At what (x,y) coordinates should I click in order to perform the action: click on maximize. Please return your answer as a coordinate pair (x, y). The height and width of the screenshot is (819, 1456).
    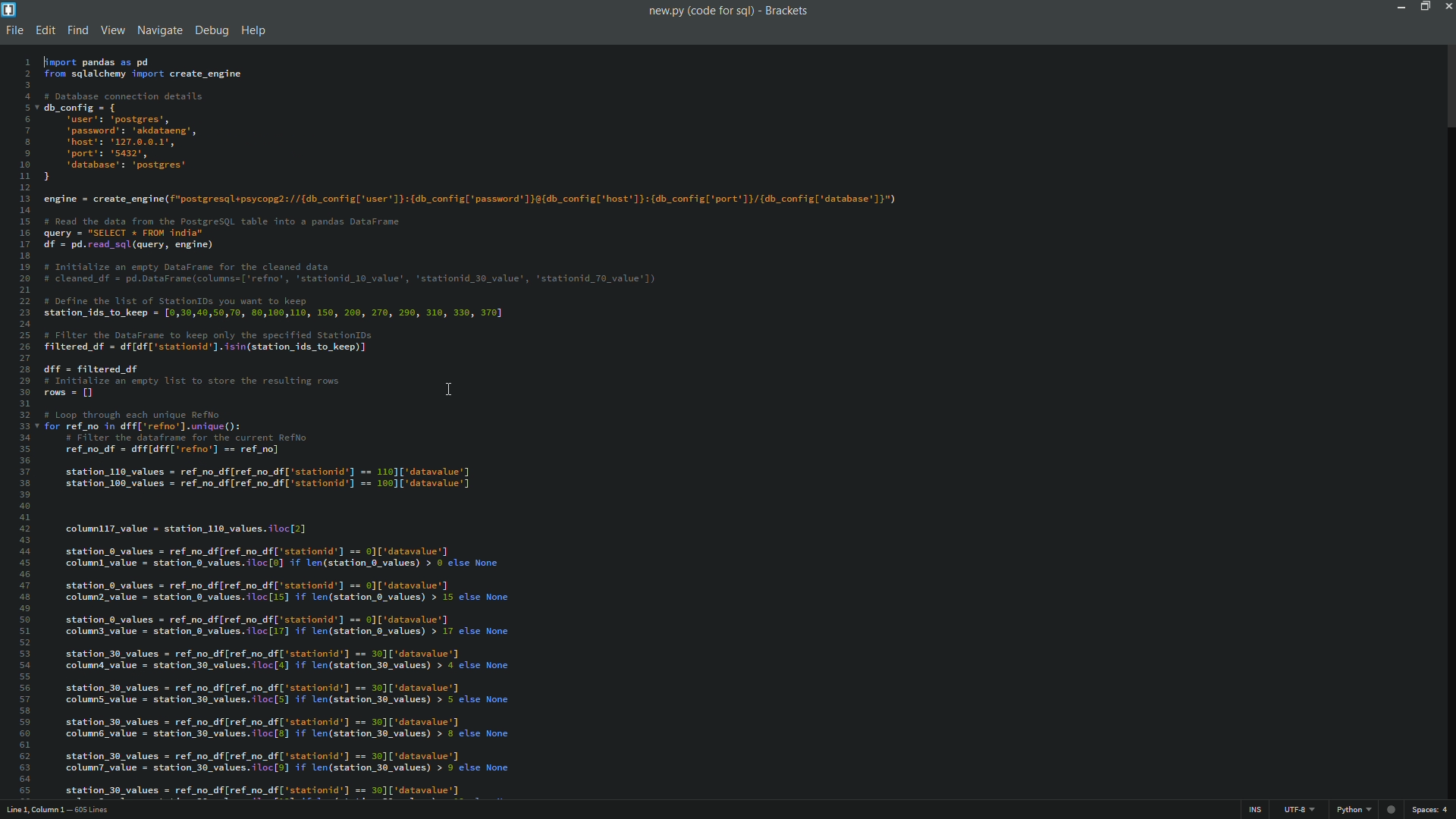
    Looking at the image, I should click on (1424, 6).